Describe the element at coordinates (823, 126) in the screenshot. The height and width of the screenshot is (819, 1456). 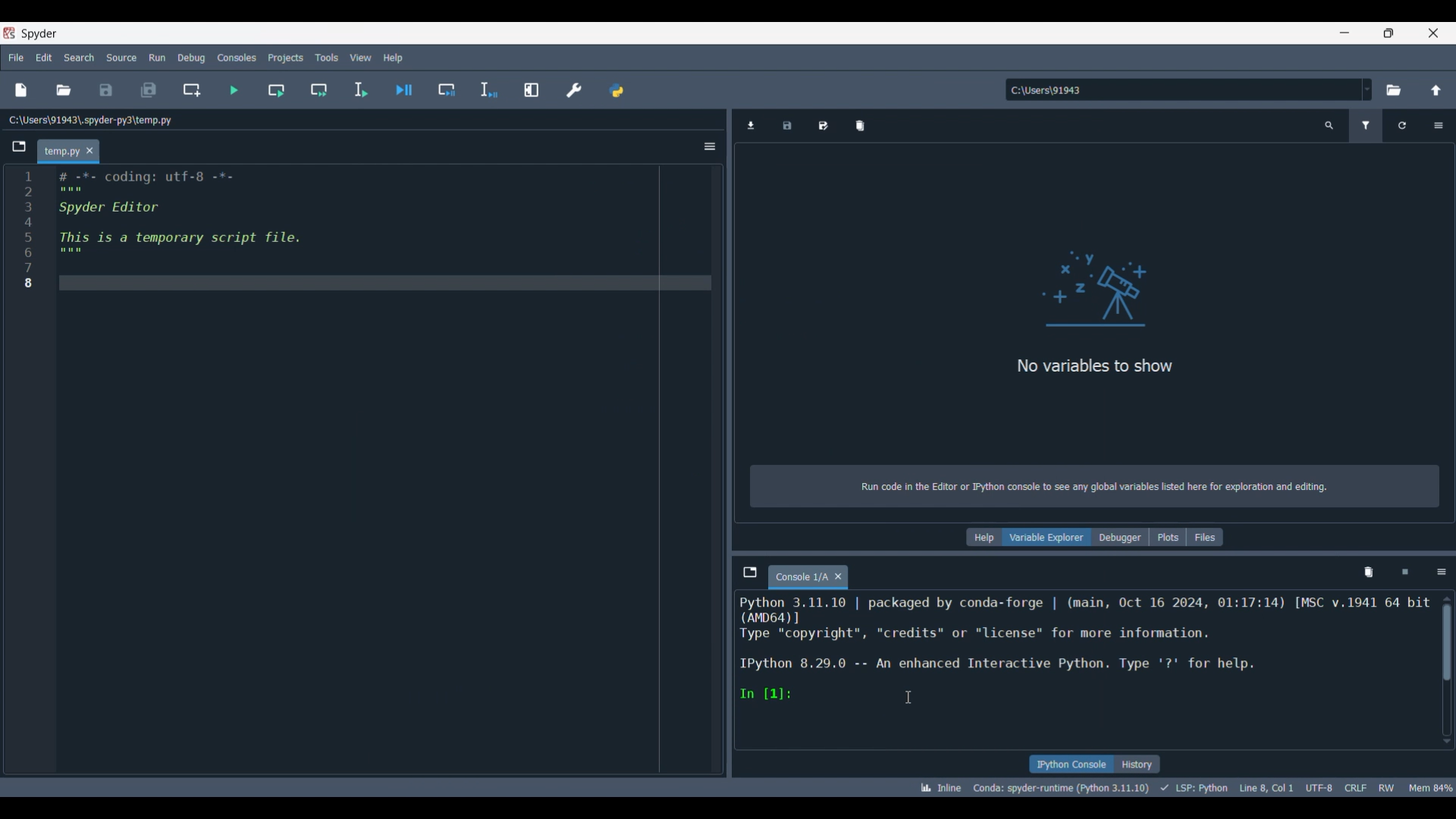
I see `Save data as` at that location.